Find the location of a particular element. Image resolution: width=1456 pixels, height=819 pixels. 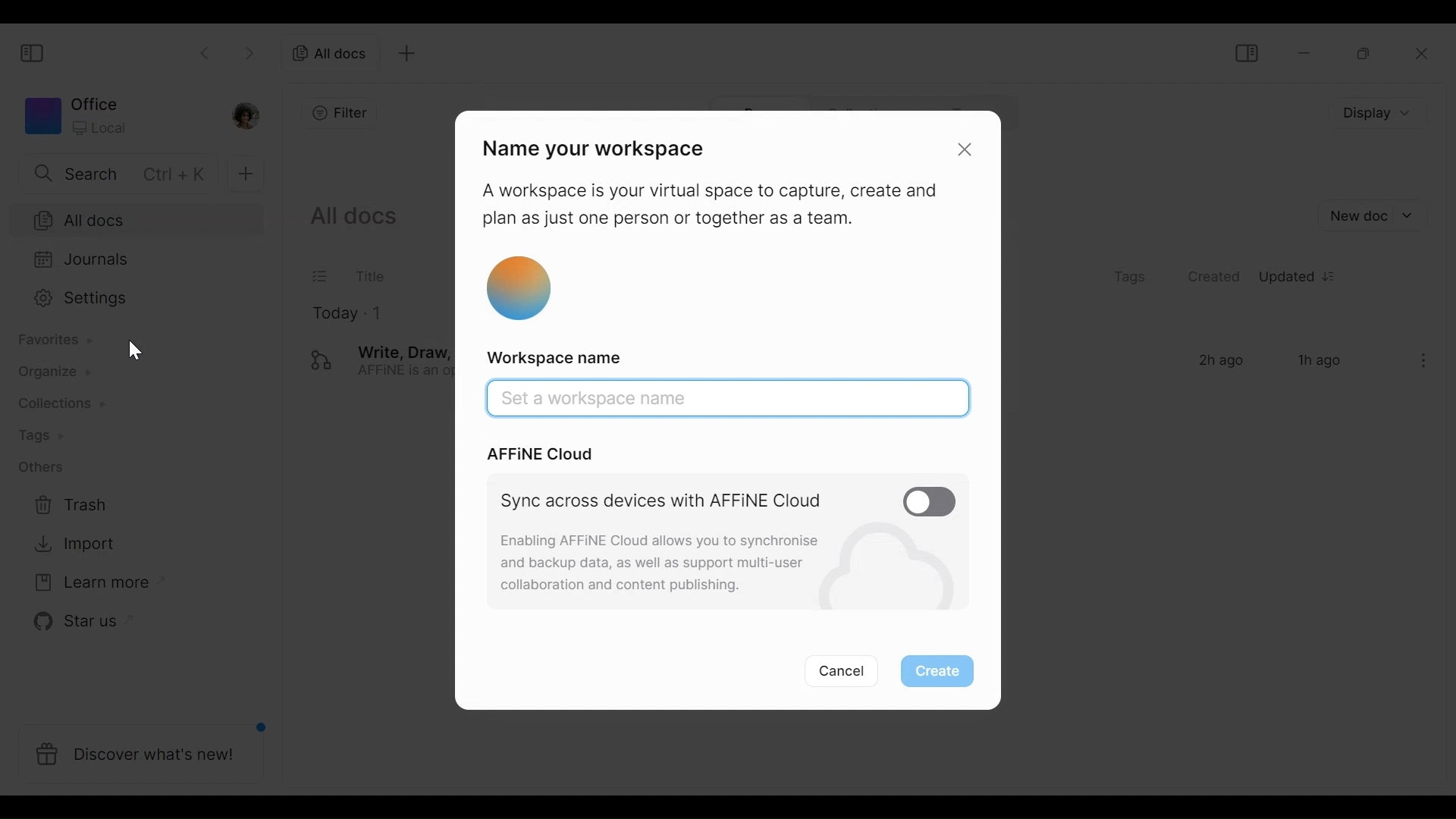

Go back is located at coordinates (206, 55).